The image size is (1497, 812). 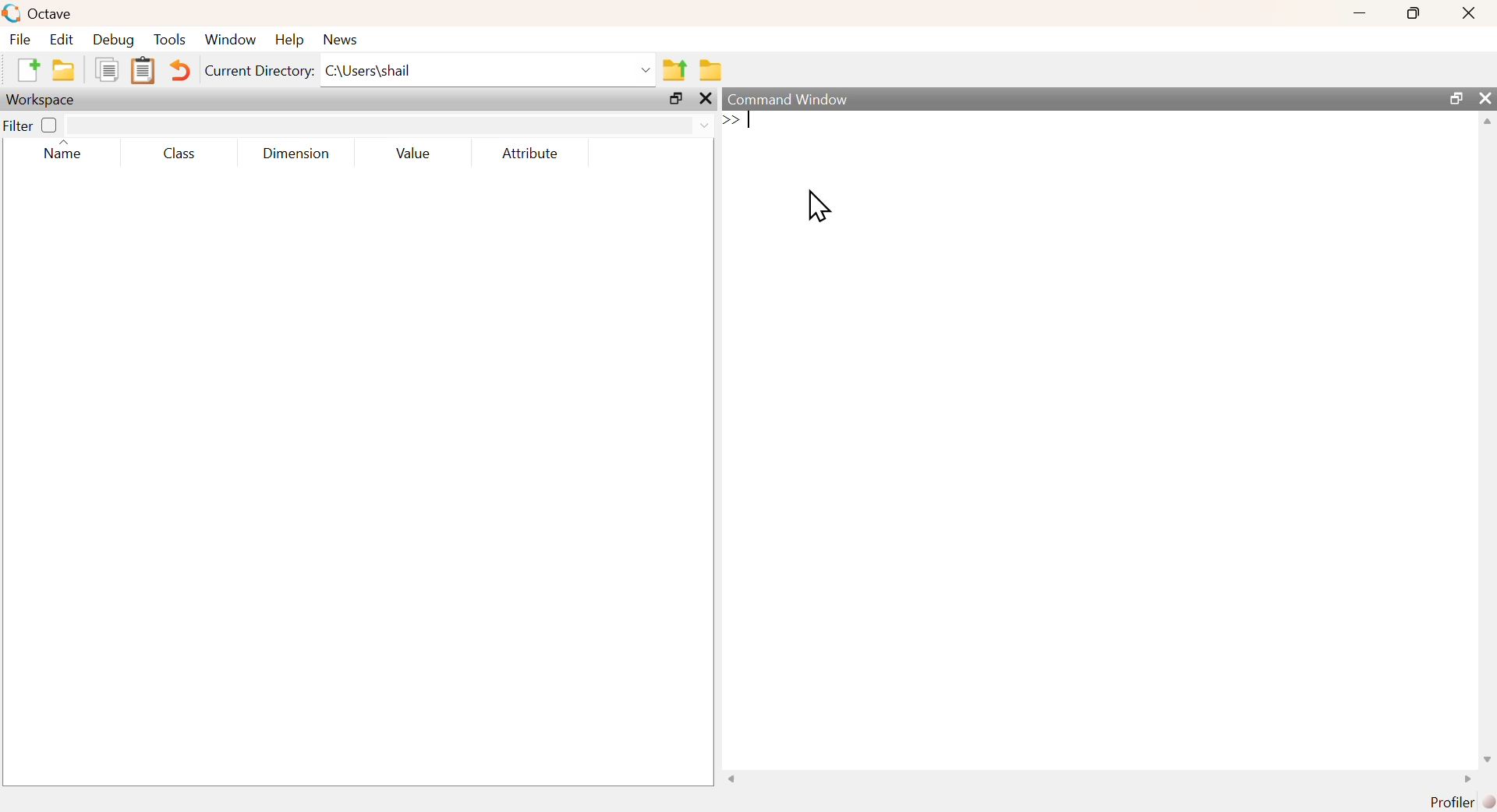 What do you see at coordinates (44, 99) in the screenshot?
I see `Workspace` at bounding box center [44, 99].